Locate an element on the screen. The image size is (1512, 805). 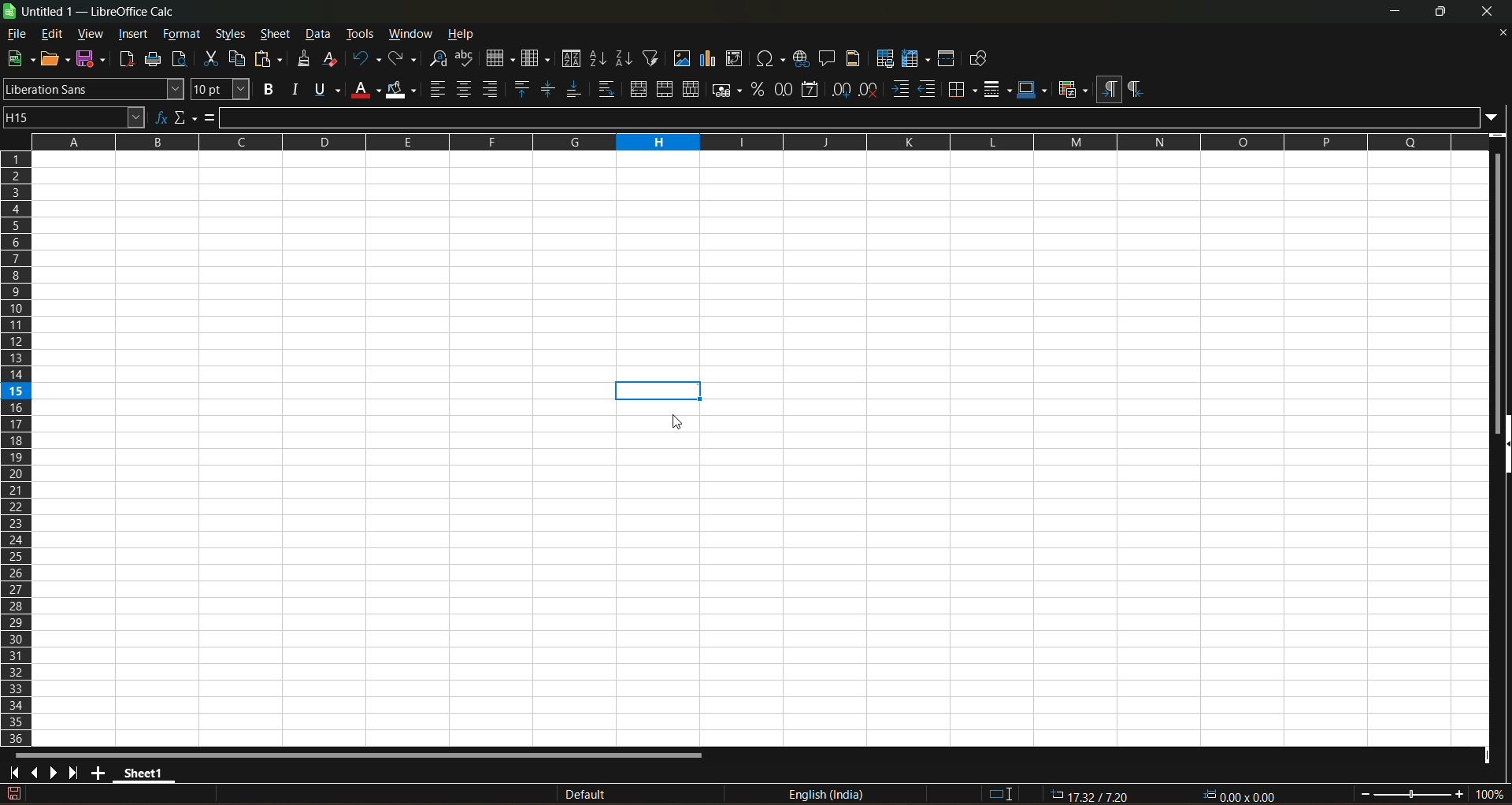
formula is located at coordinates (1194, 793).